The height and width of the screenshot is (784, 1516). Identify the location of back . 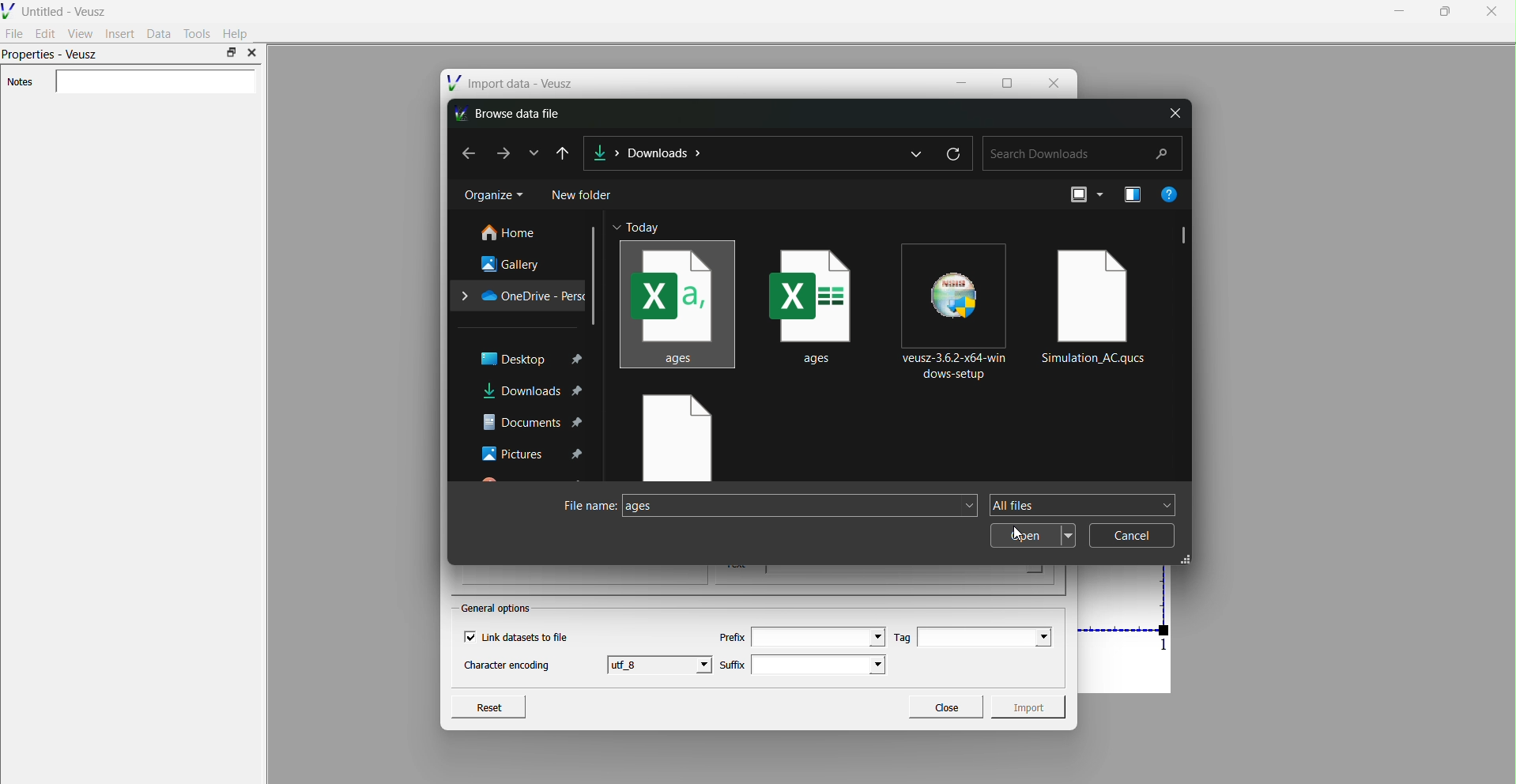
(462, 153).